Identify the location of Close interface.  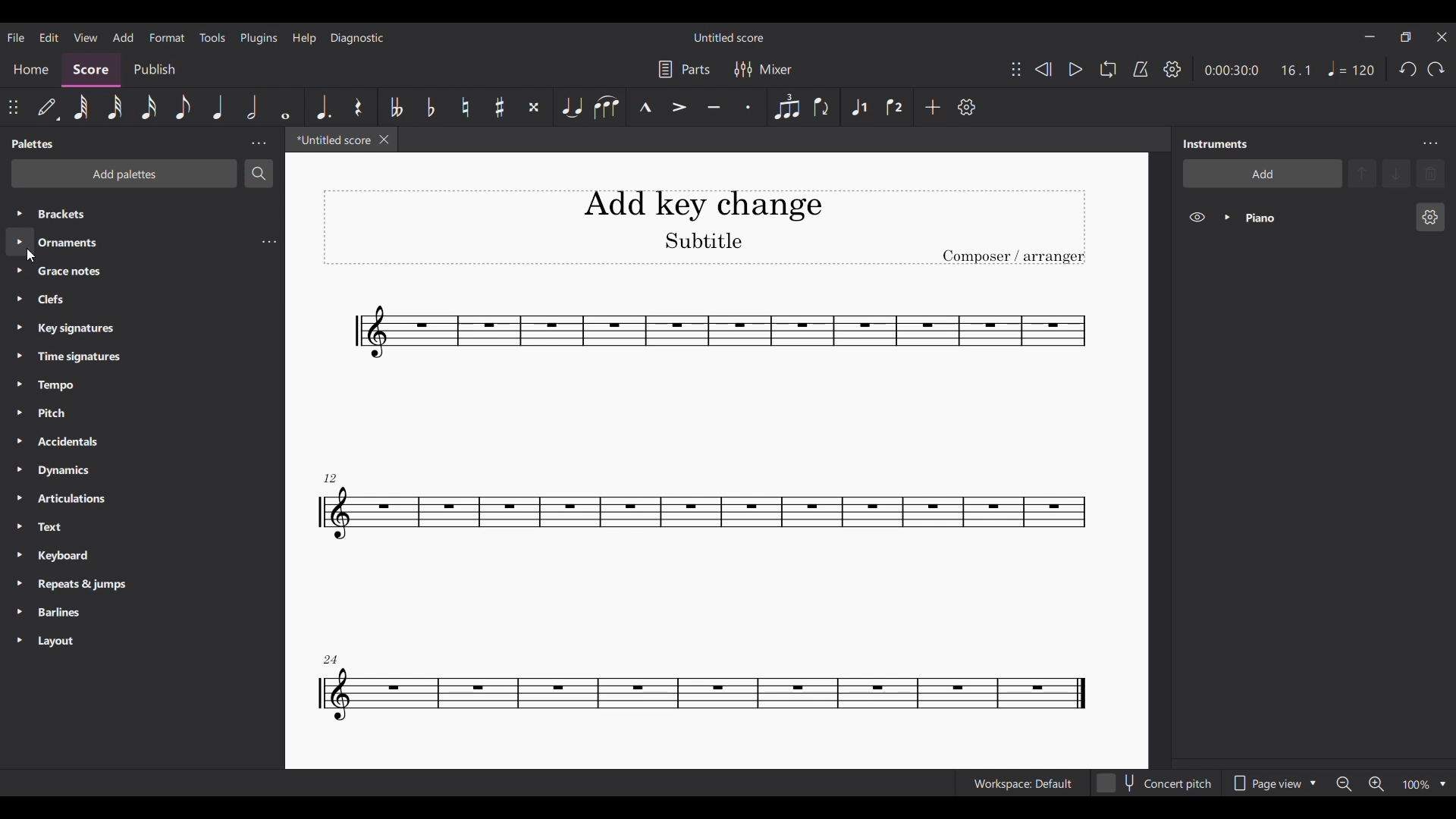
(1442, 38).